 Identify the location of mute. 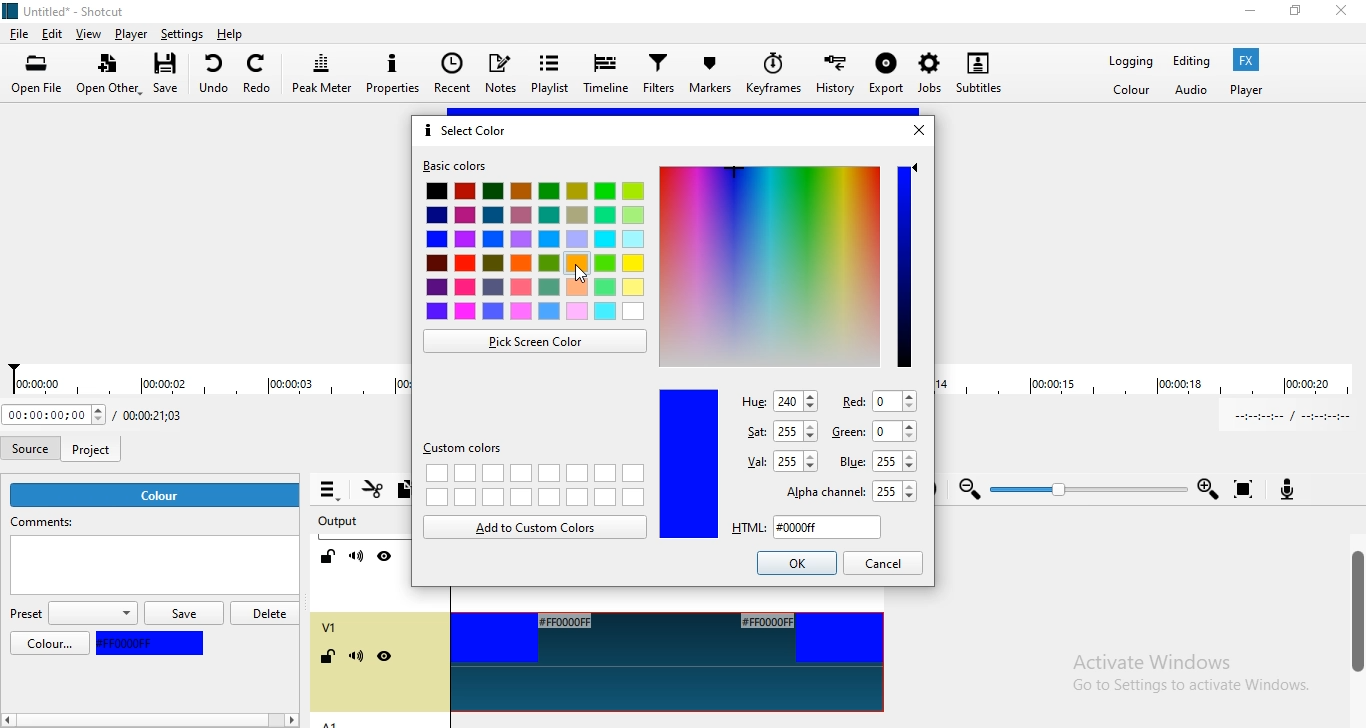
(356, 658).